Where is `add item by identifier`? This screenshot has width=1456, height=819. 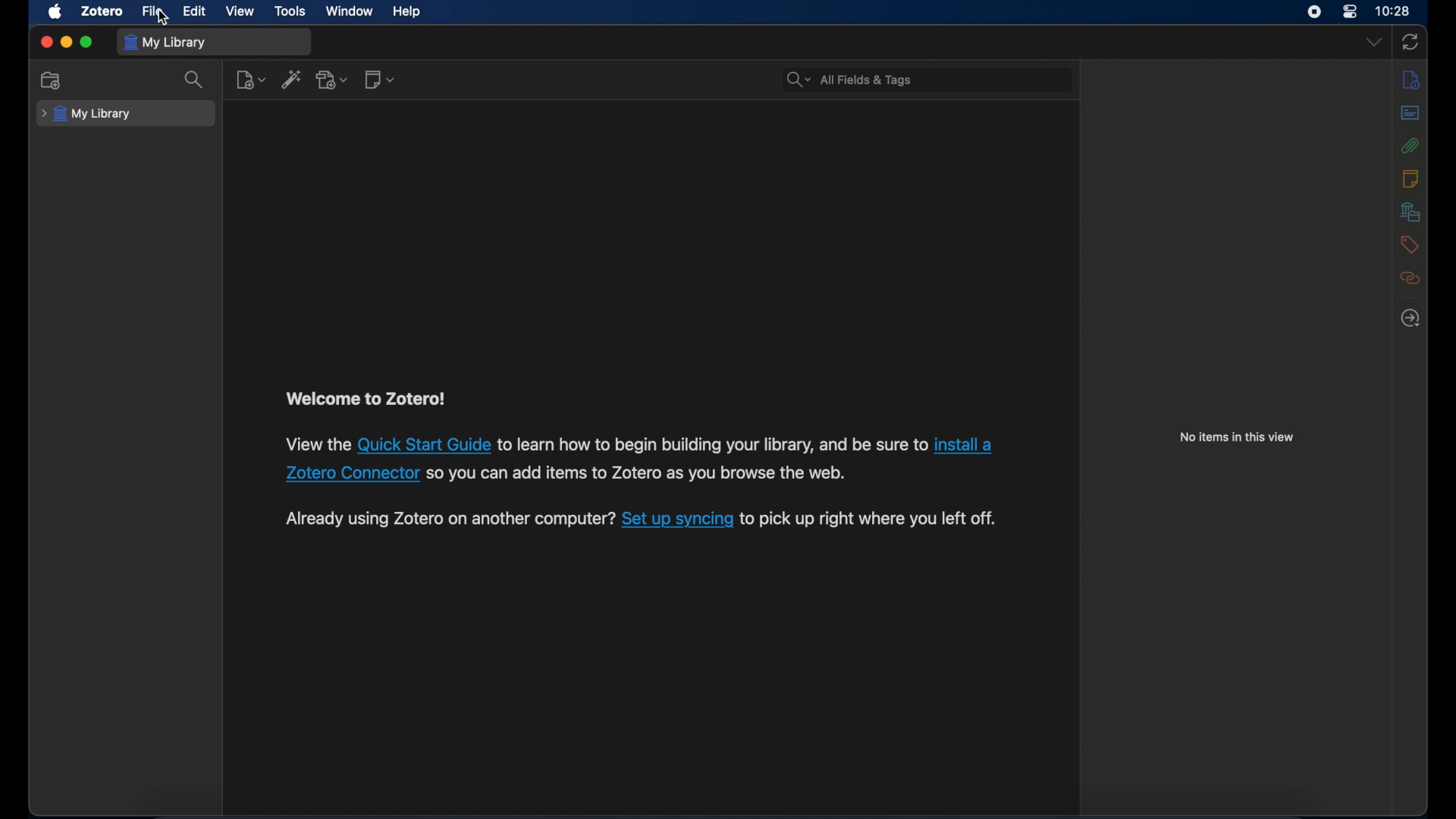
add item by identifier is located at coordinates (292, 79).